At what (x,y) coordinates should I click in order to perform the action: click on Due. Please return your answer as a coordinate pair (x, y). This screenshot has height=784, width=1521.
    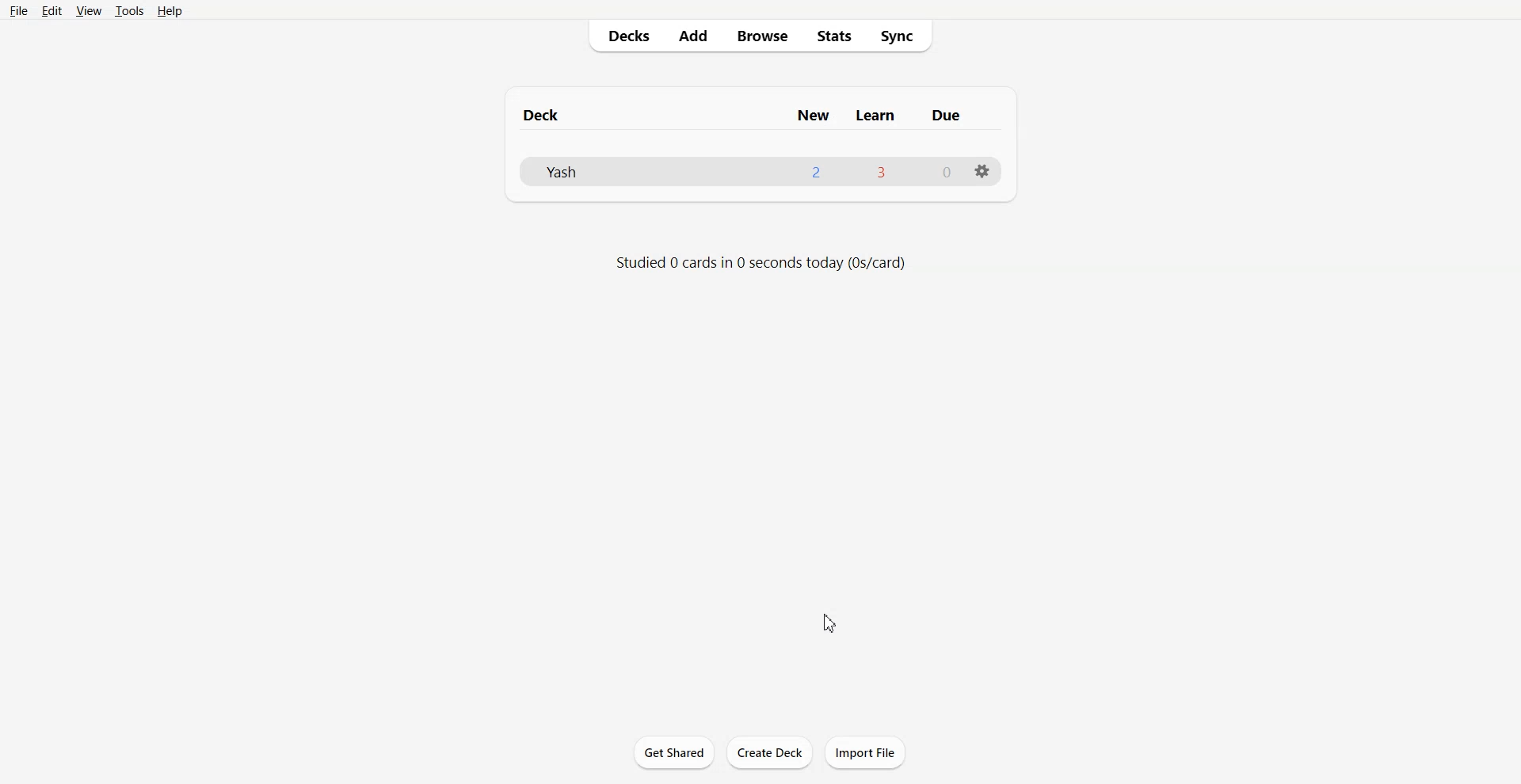
    Looking at the image, I should click on (947, 116).